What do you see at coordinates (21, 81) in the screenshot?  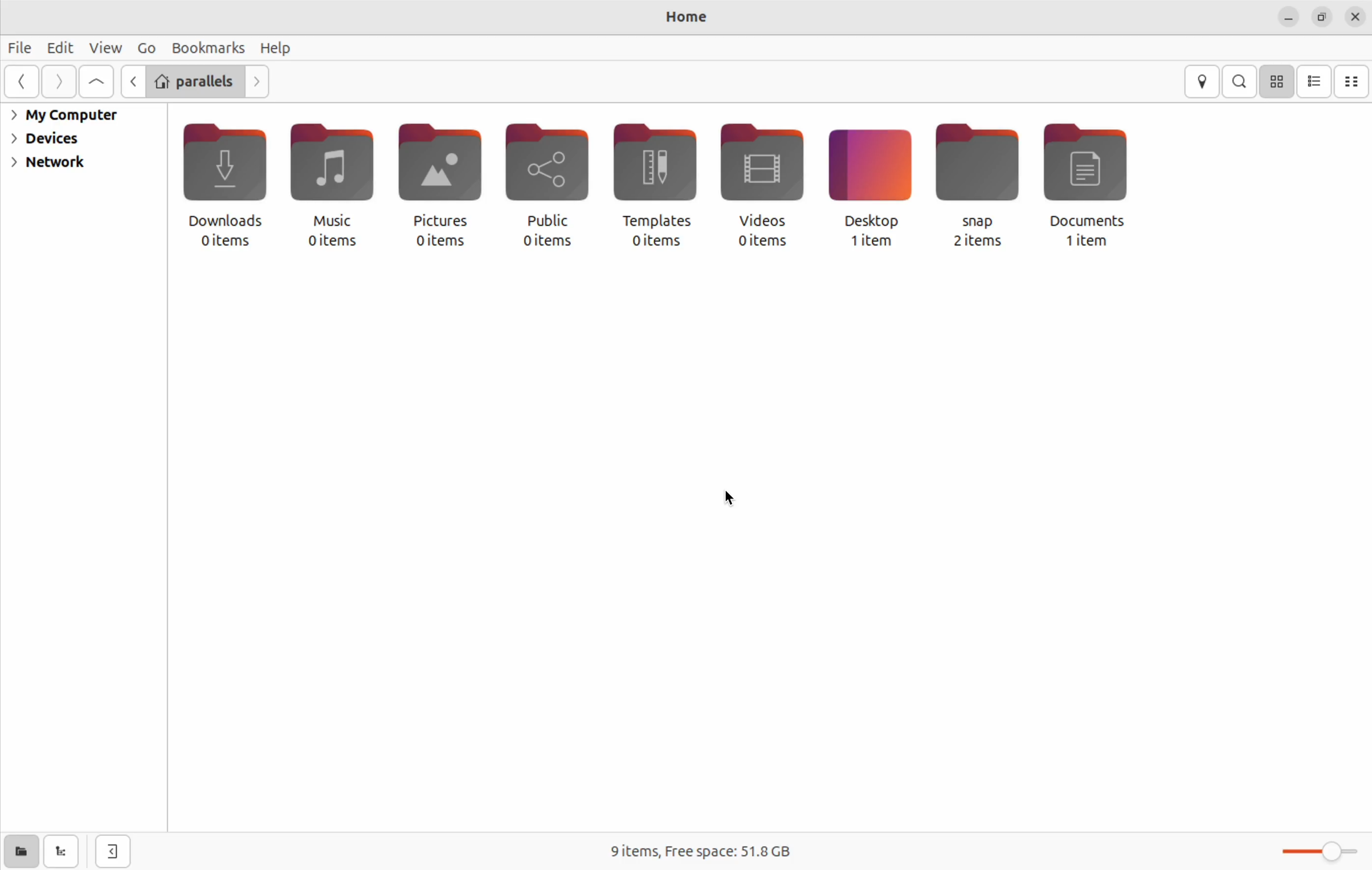 I see `go back` at bounding box center [21, 81].